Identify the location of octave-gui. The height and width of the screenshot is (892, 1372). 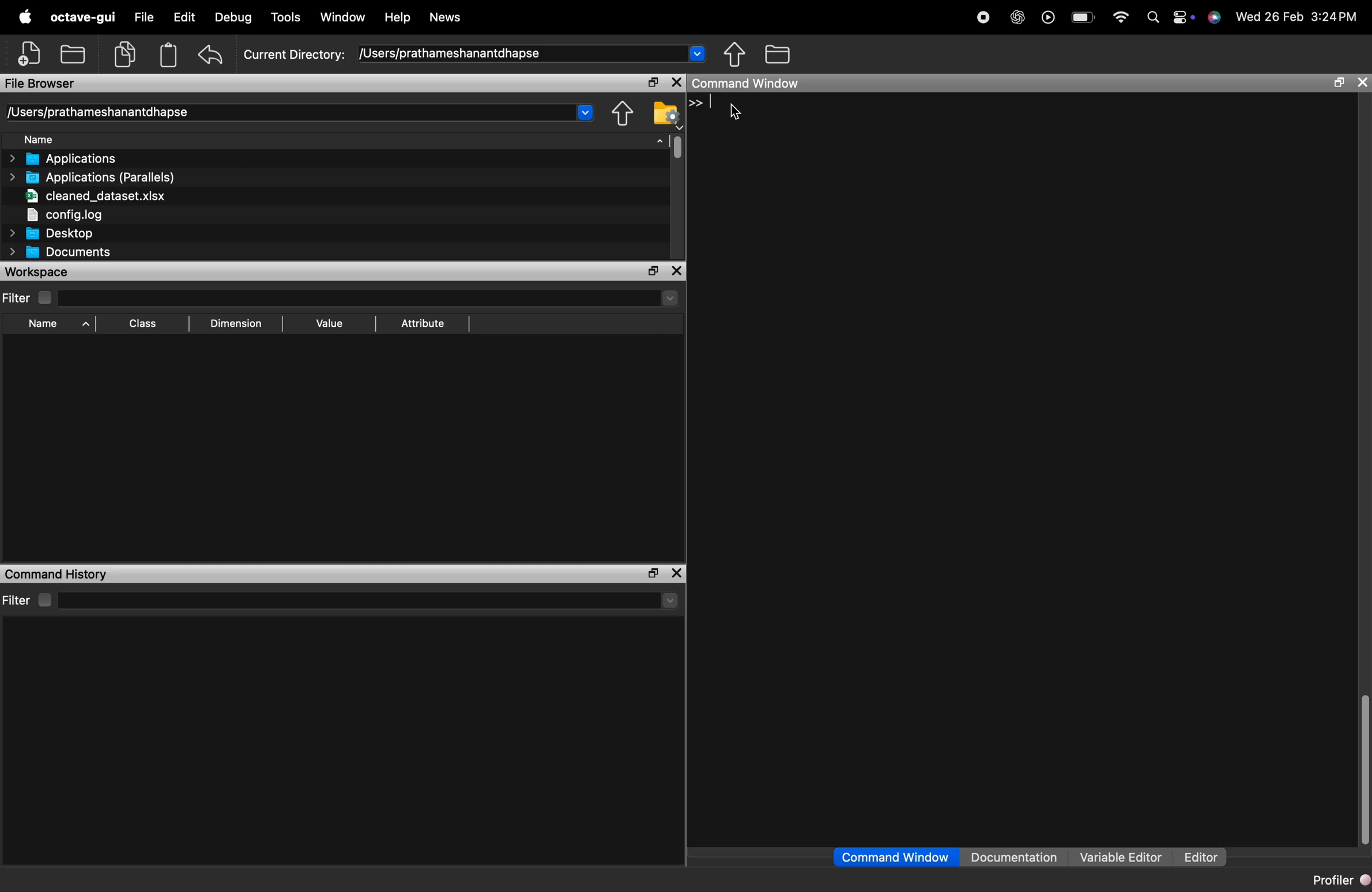
(80, 17).